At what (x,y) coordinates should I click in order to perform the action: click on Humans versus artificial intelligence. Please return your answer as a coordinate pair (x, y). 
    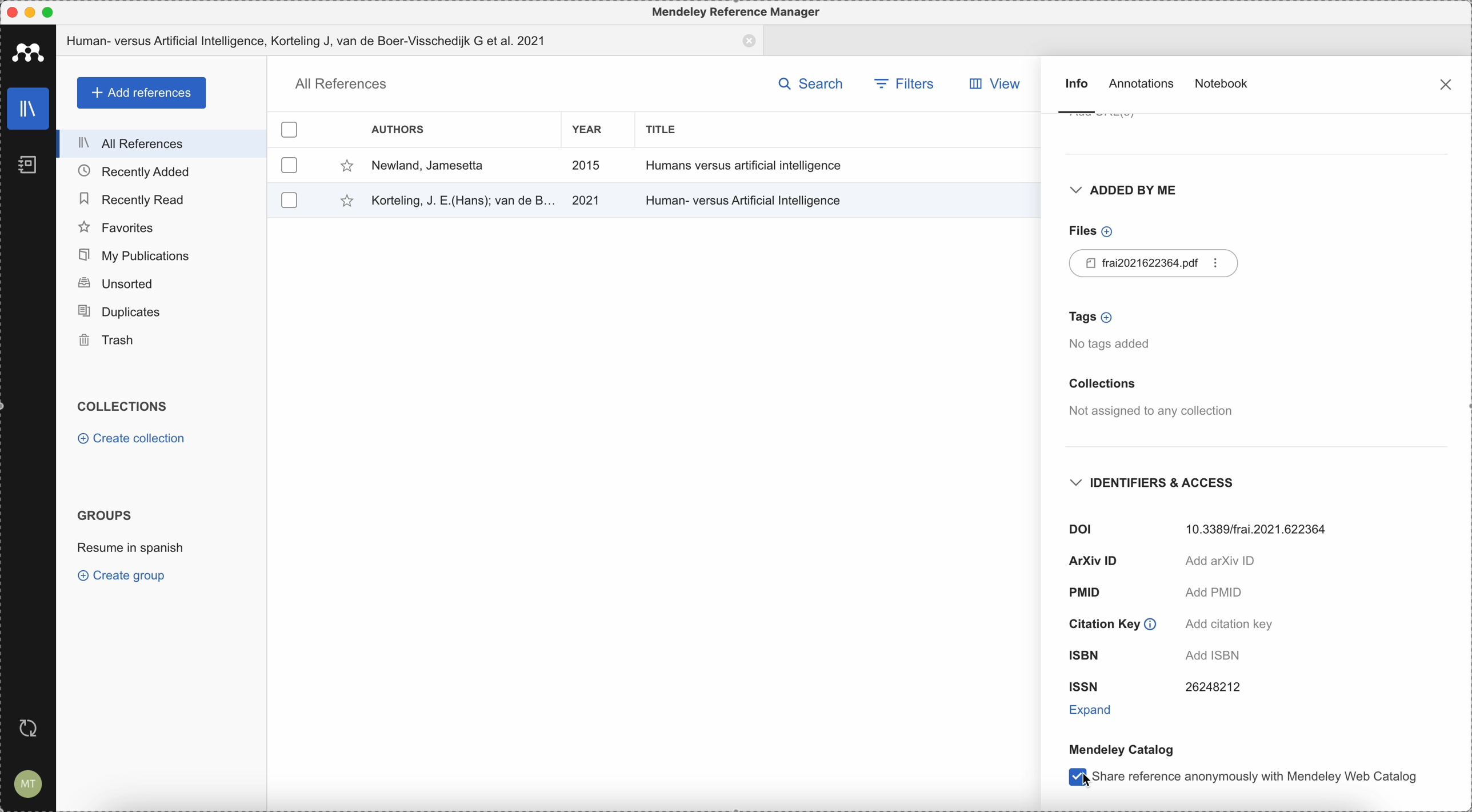
    Looking at the image, I should click on (745, 165).